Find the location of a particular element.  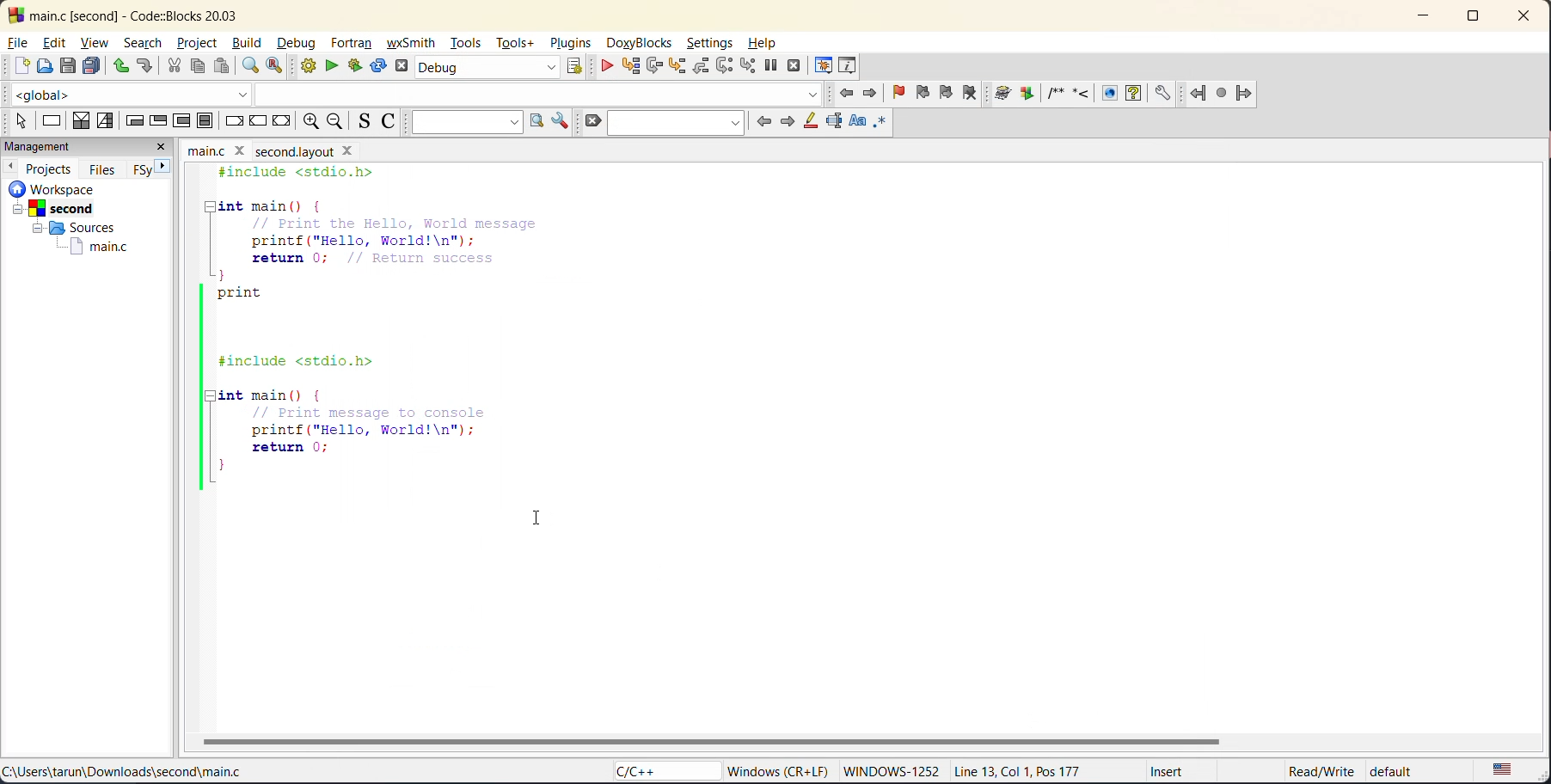

save everything is located at coordinates (94, 65).